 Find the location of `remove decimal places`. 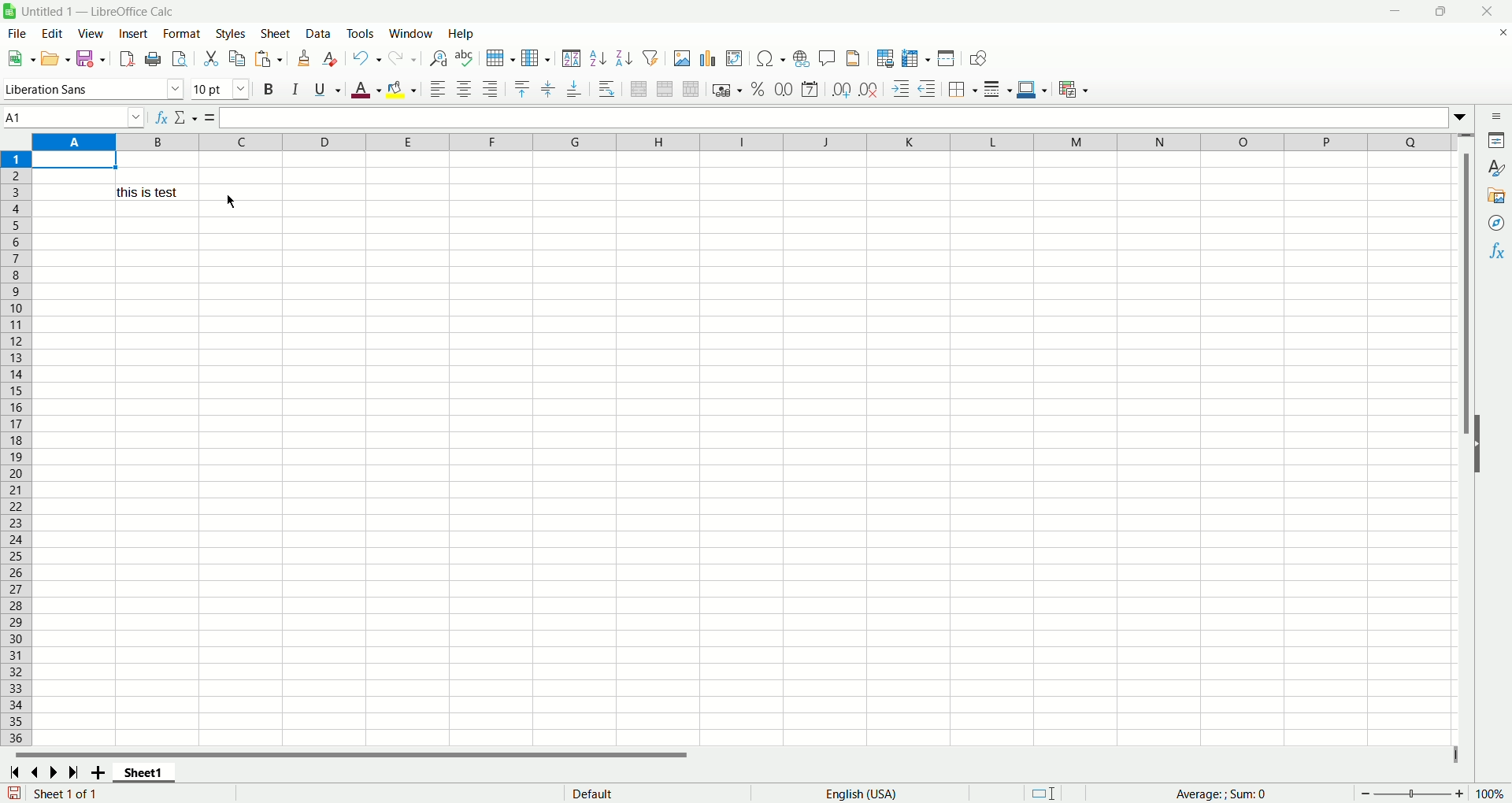

remove decimal places is located at coordinates (869, 87).